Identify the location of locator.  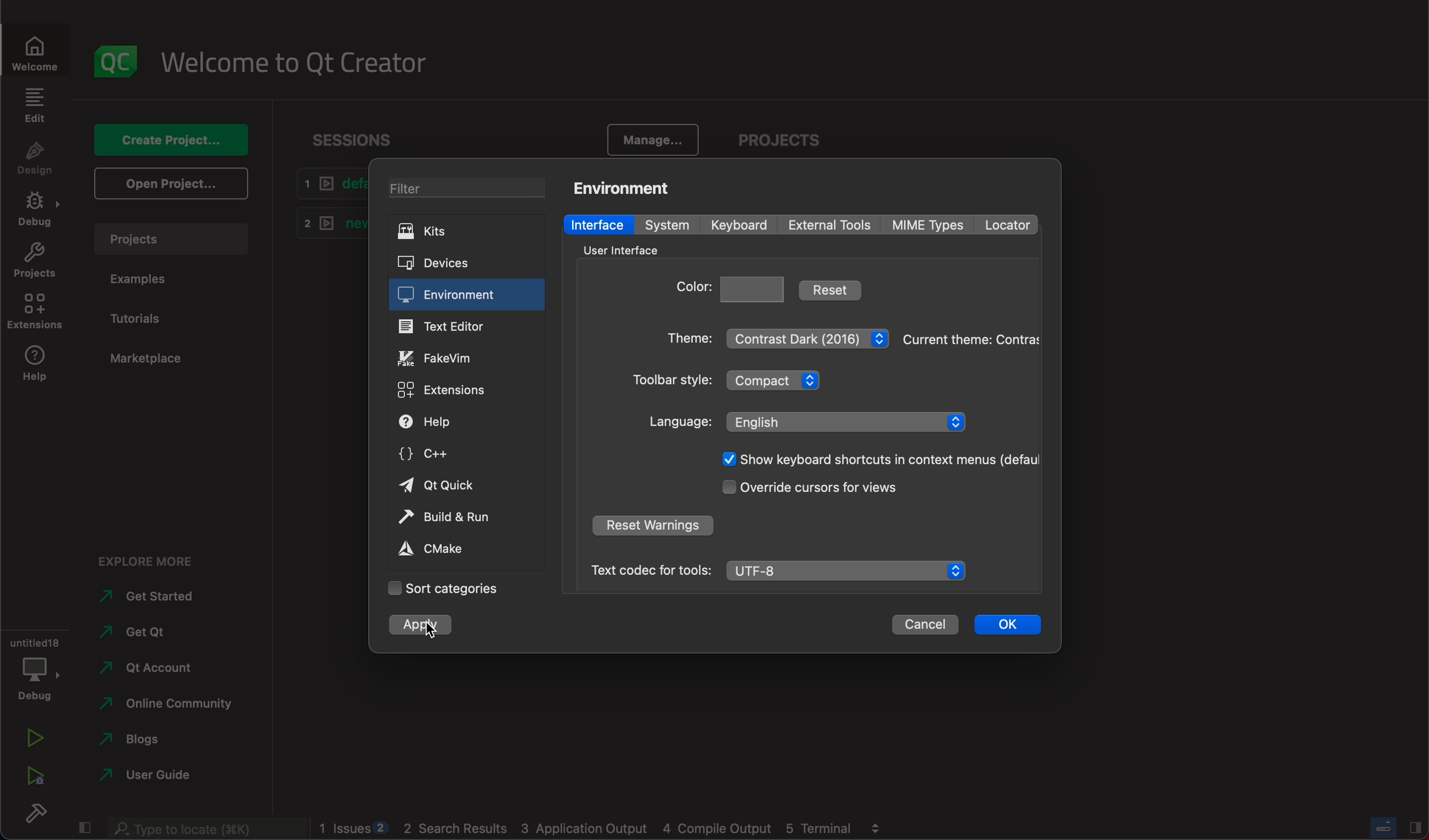
(1012, 223).